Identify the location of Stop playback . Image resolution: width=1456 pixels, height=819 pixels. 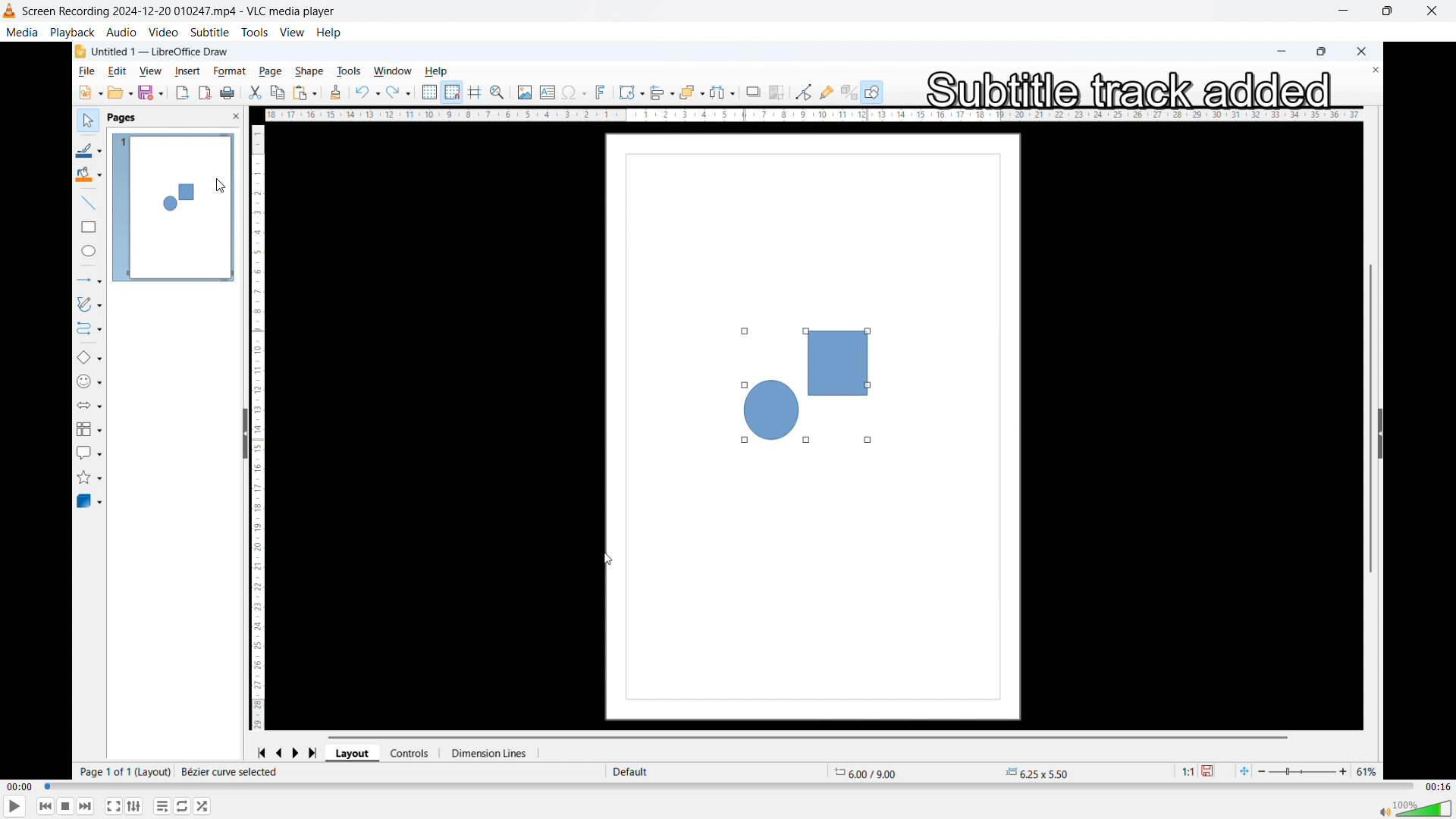
(67, 806).